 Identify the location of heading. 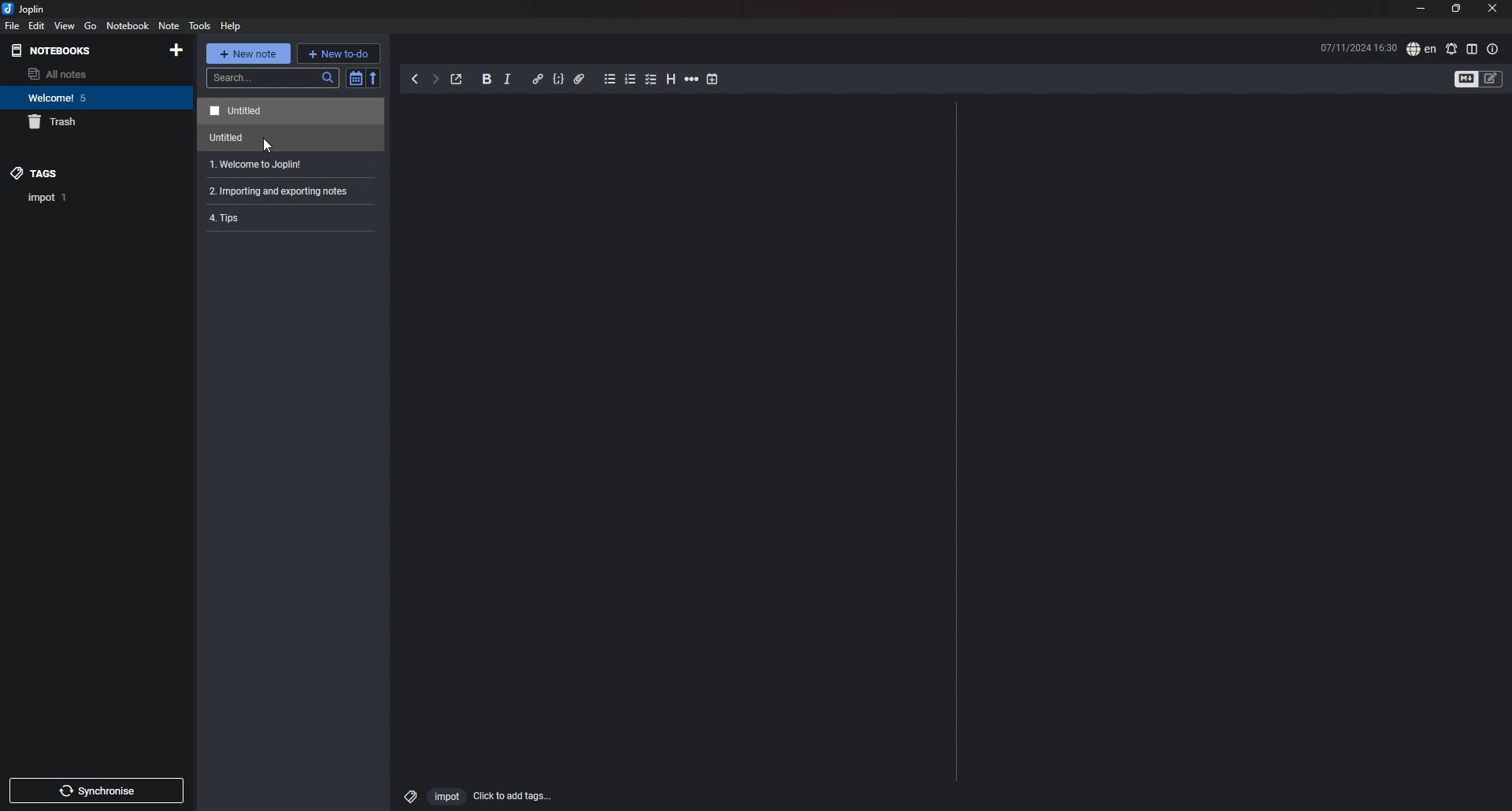
(669, 79).